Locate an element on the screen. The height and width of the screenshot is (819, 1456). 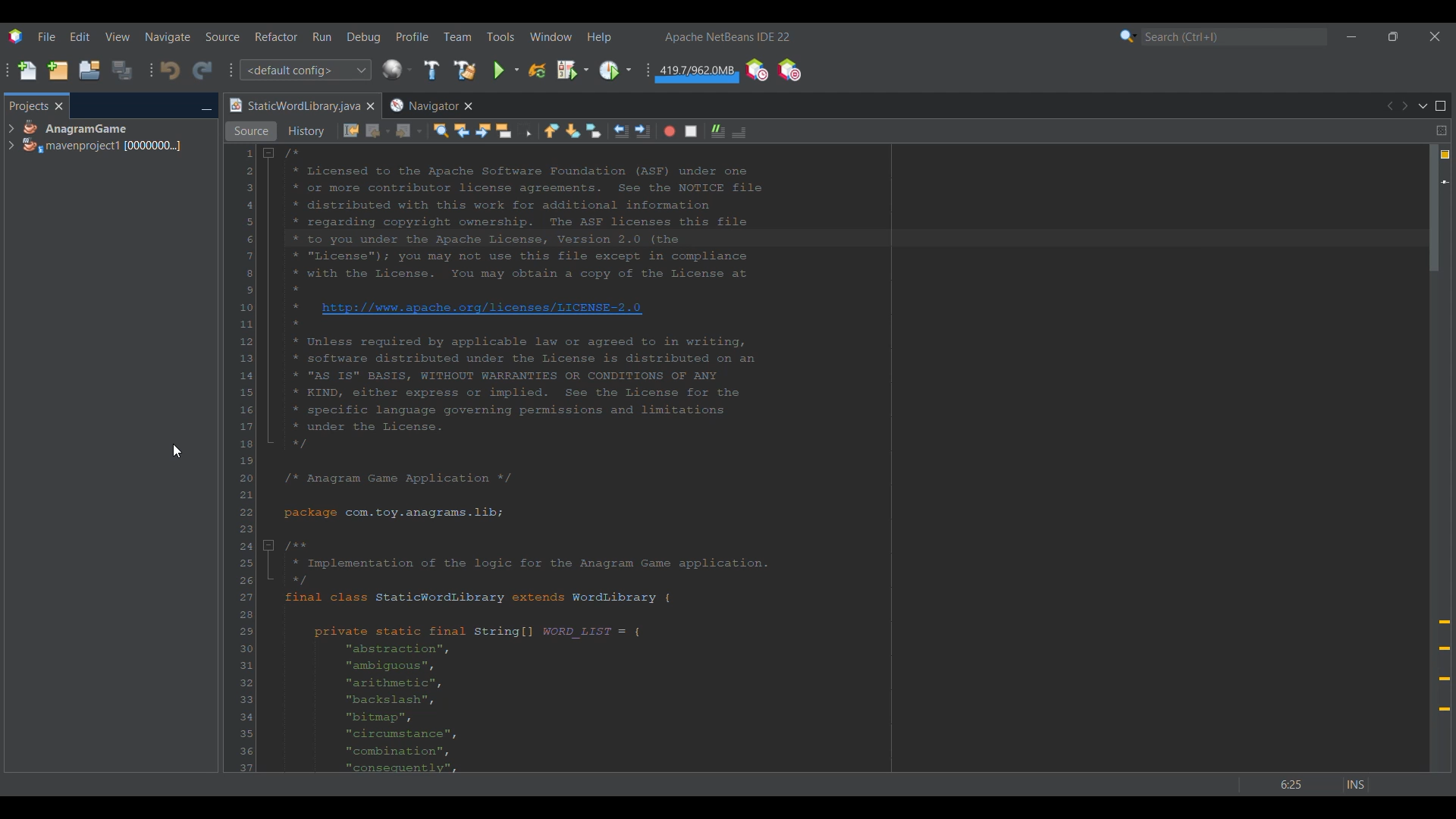
Next bookmark is located at coordinates (573, 131).